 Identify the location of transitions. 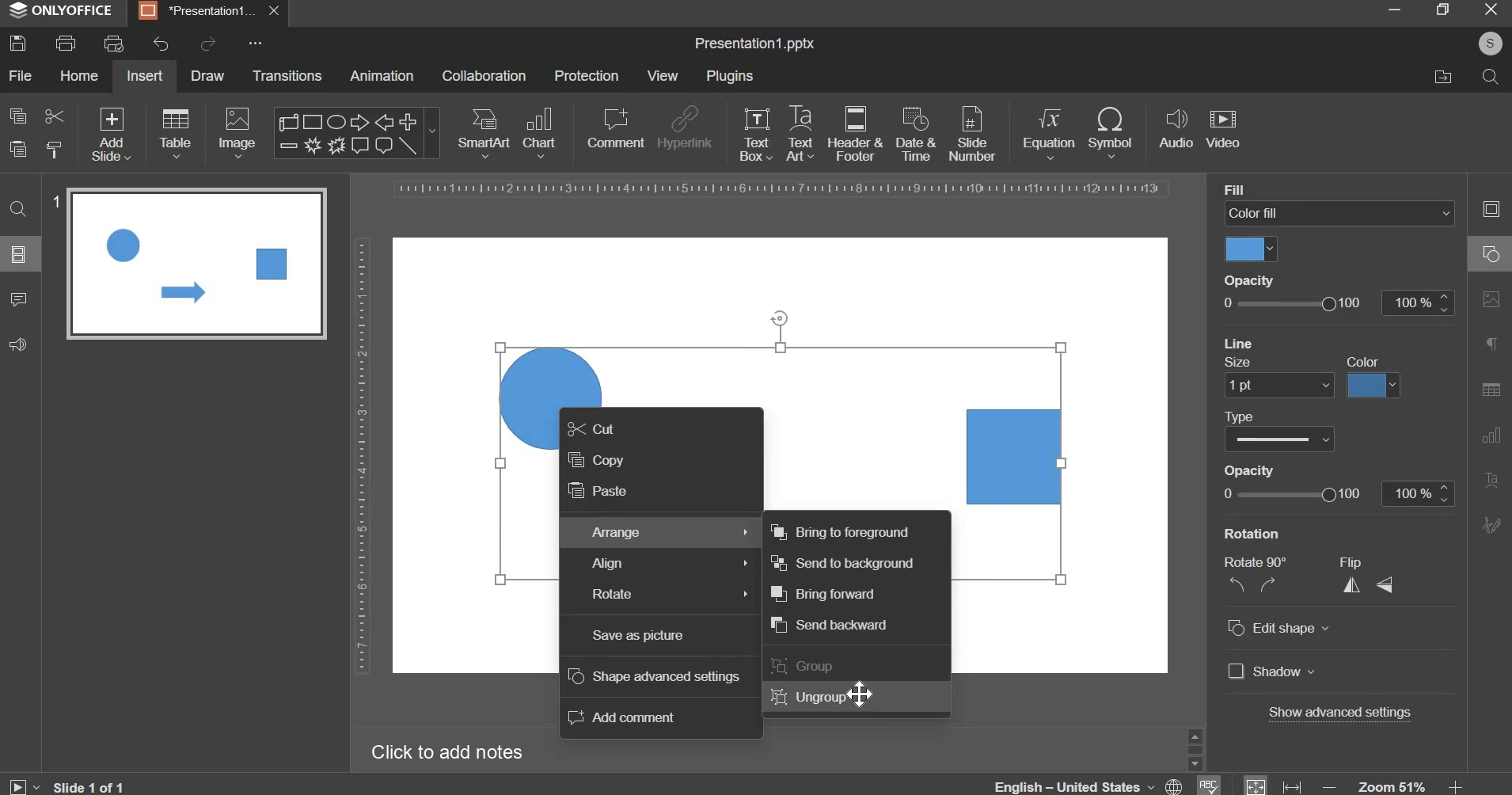
(288, 75).